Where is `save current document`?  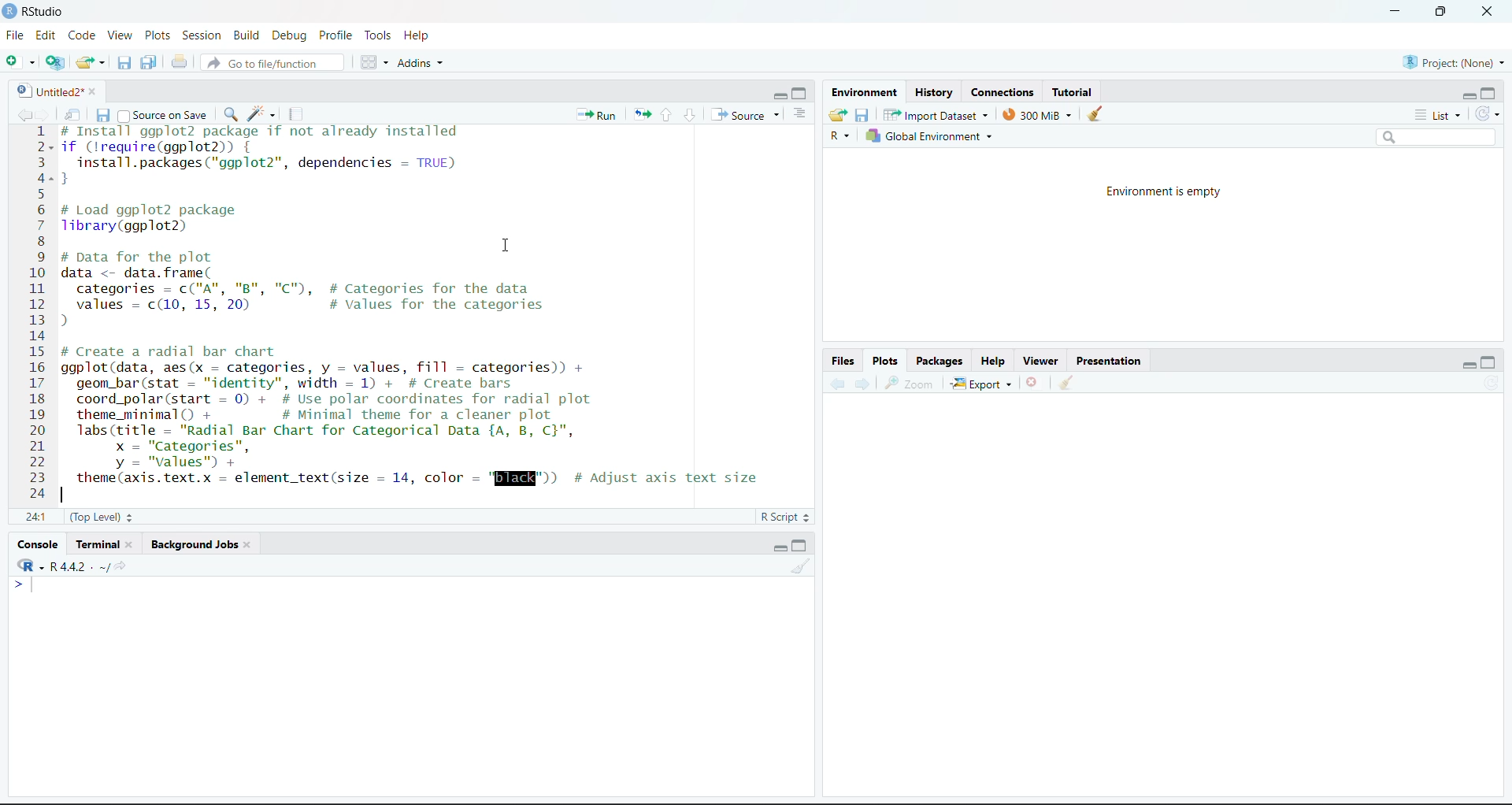 save current document is located at coordinates (121, 64).